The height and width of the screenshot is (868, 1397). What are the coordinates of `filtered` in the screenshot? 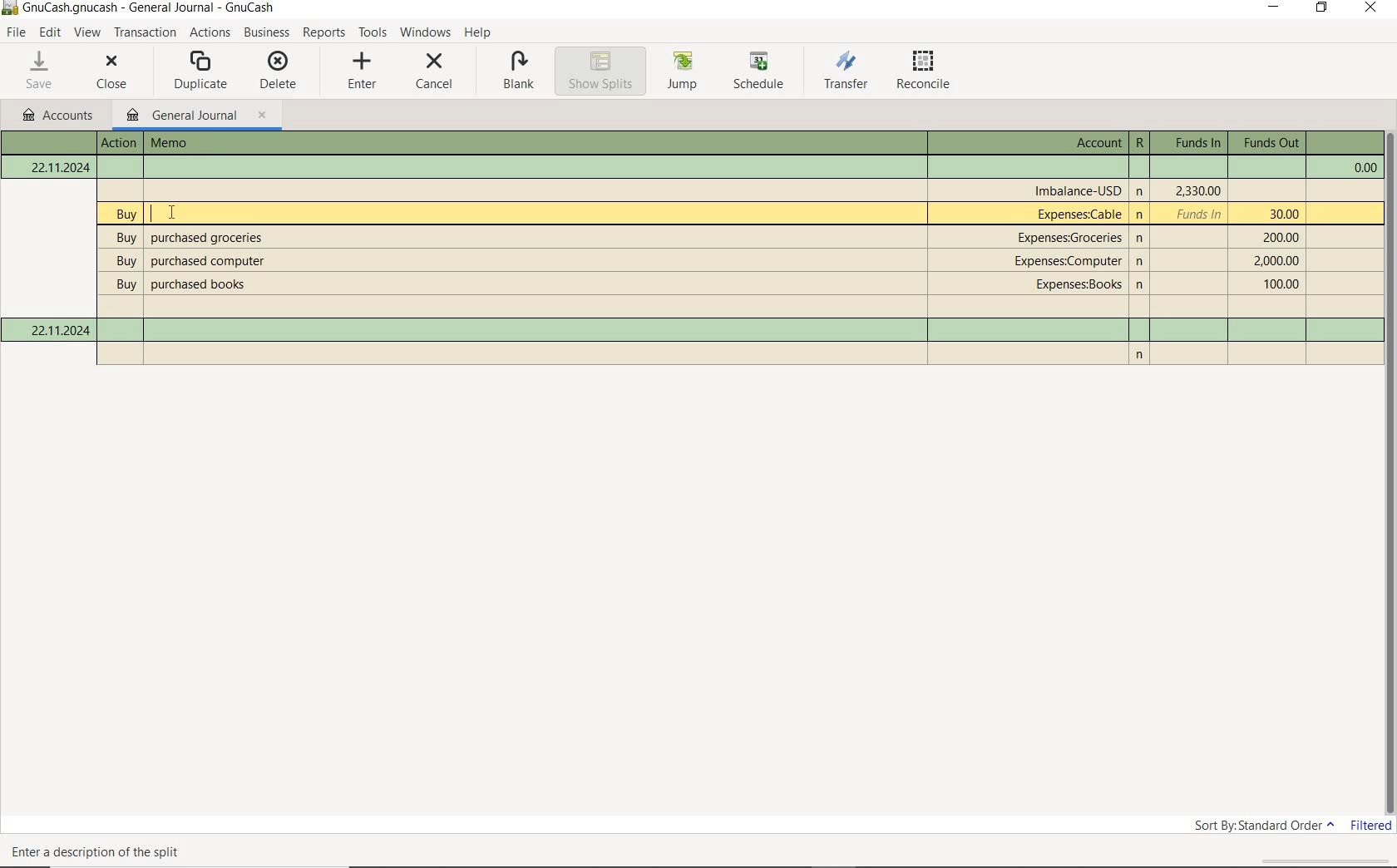 It's located at (1371, 826).